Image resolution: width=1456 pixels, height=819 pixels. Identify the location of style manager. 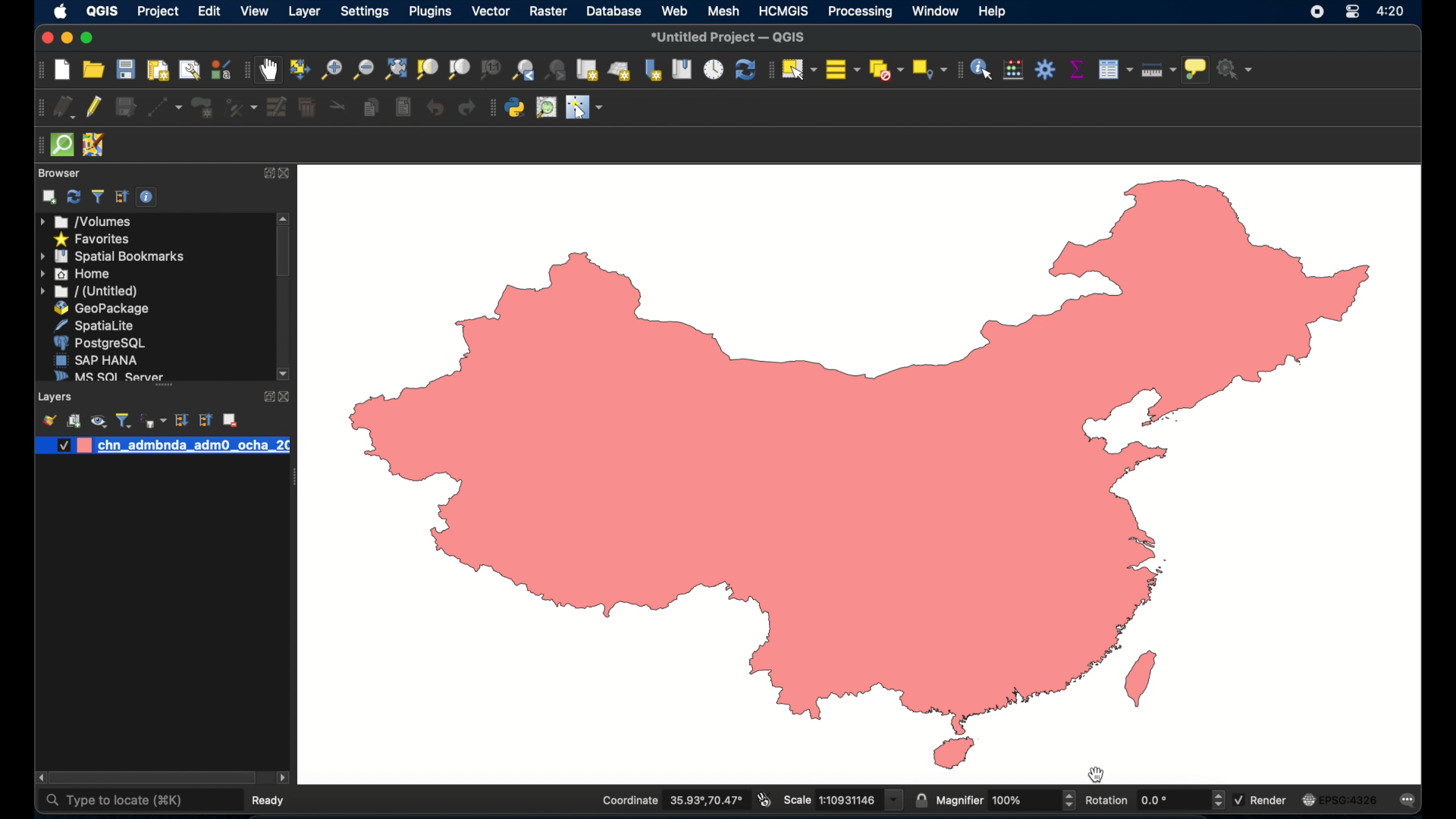
(220, 70).